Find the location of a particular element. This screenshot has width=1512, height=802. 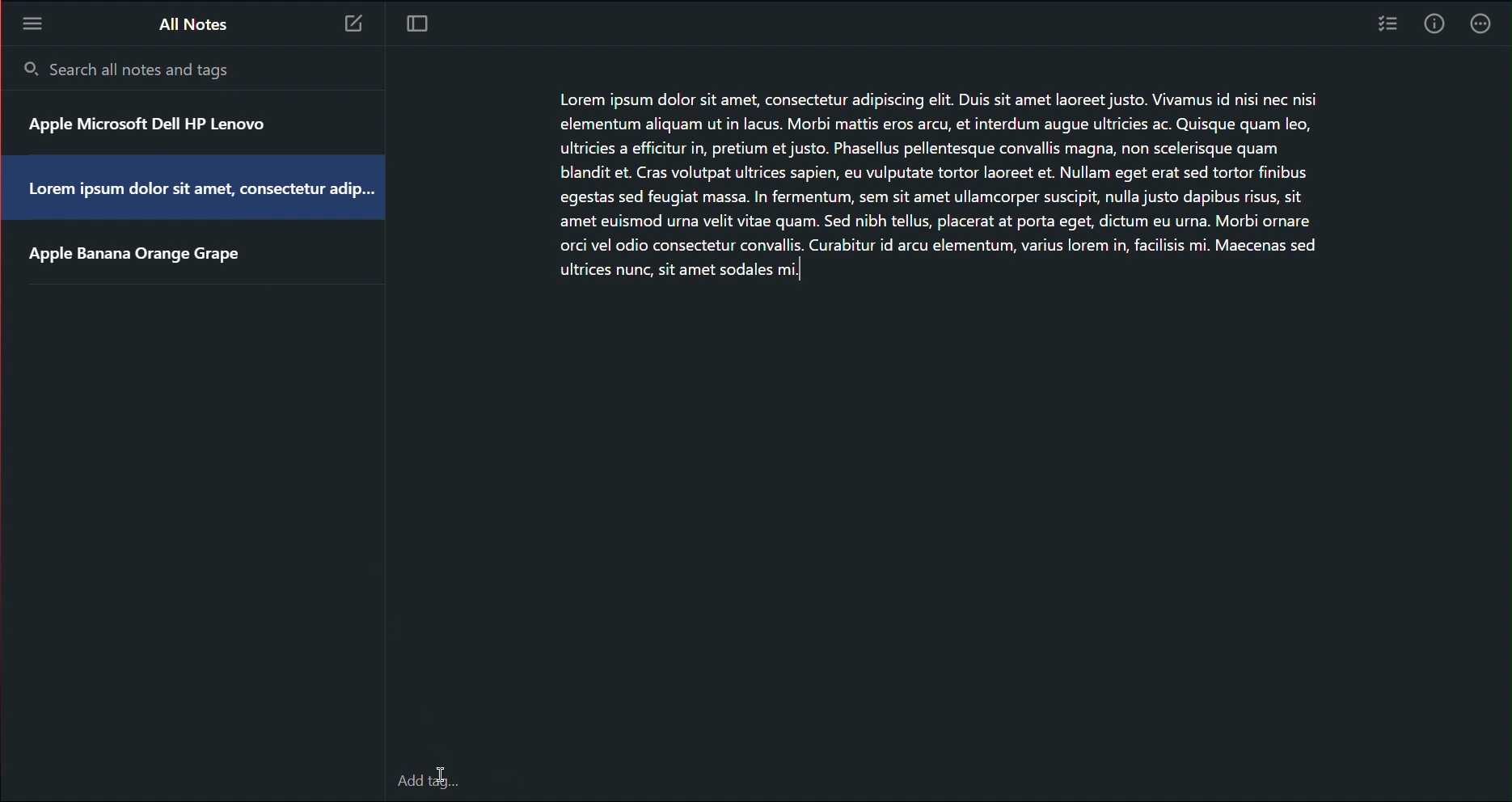

Note 3 is located at coordinates (356, 26).